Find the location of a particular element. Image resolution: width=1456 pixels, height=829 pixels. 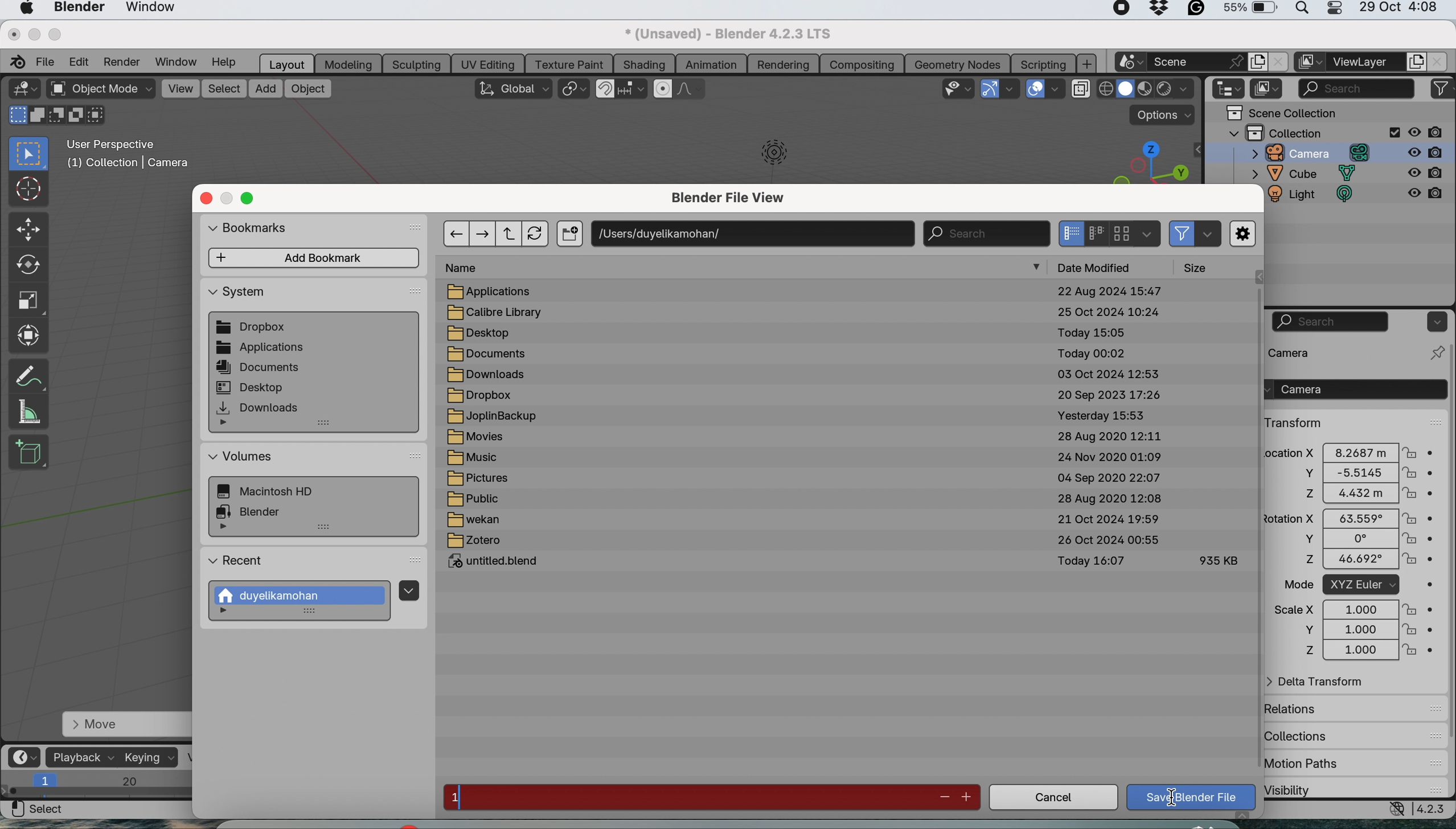

network settings is located at coordinates (1395, 810).